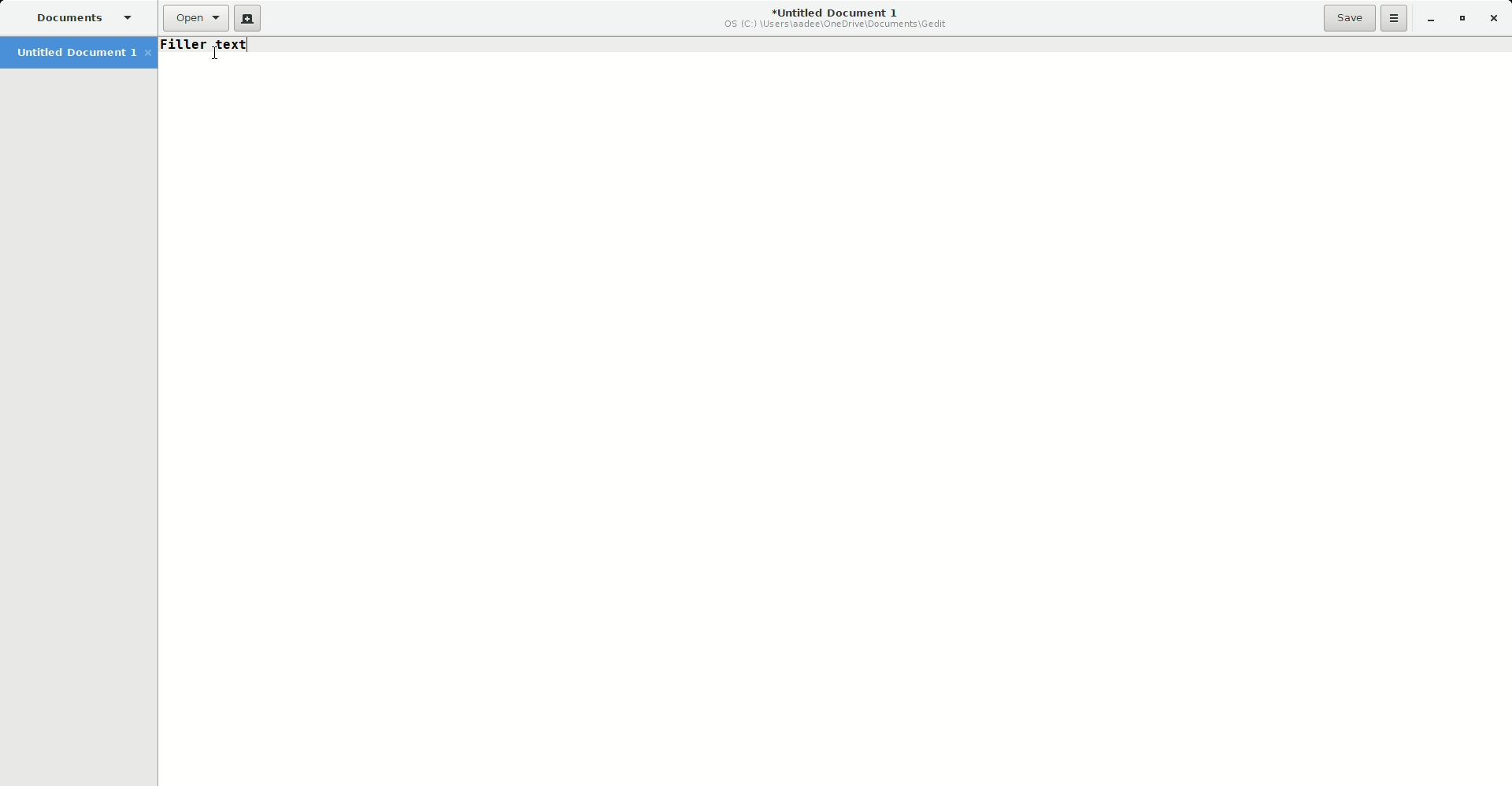 The image size is (1512, 786). I want to click on Minimize, so click(1429, 20).